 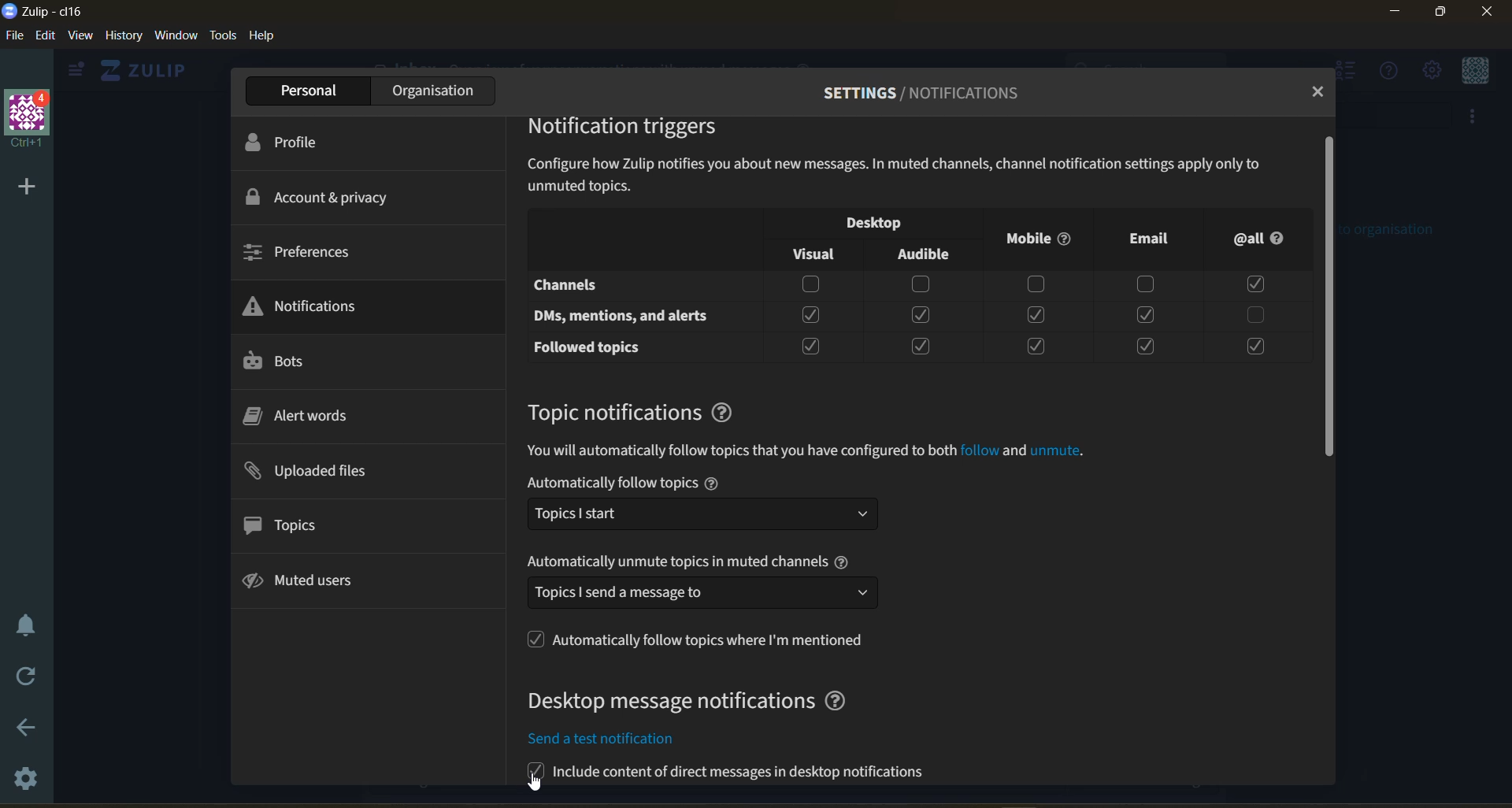 I want to click on notification visibility checkbox, so click(x=876, y=221).